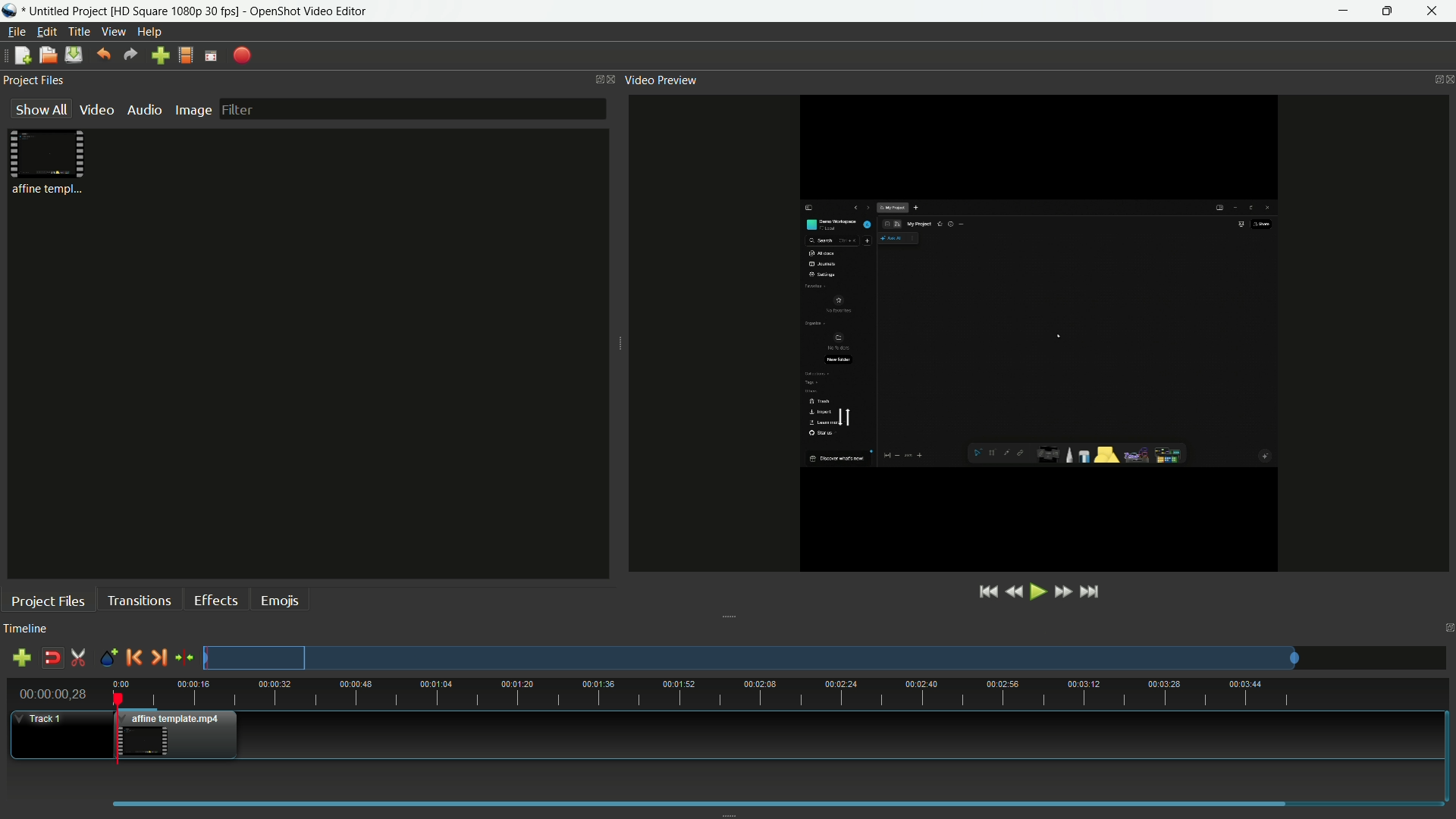  I want to click on rewind, so click(1014, 592).